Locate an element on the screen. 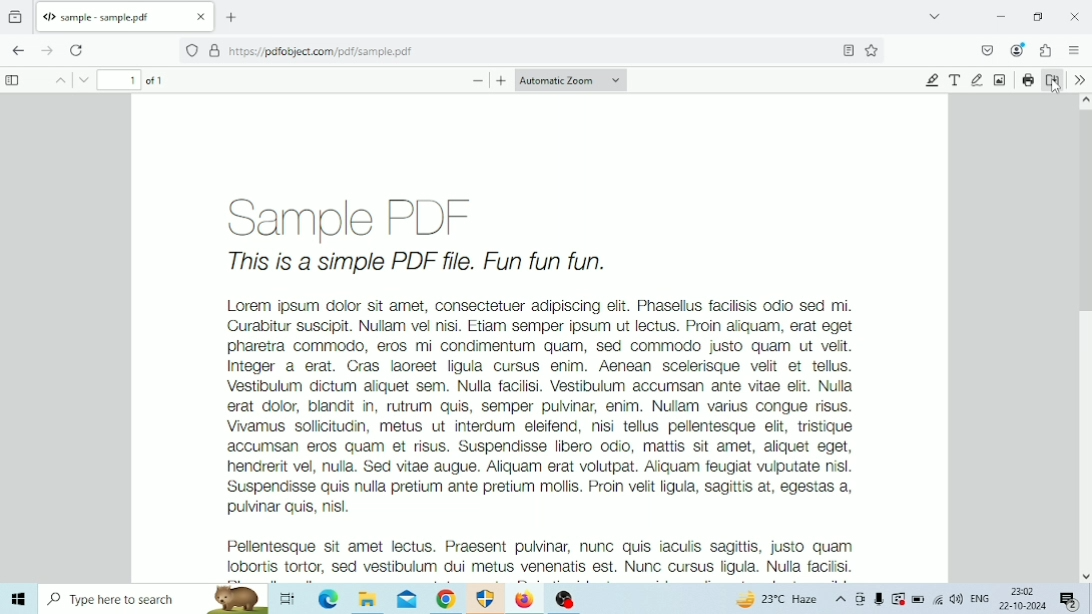 This screenshot has height=614, width=1092. Go back one page is located at coordinates (19, 51).